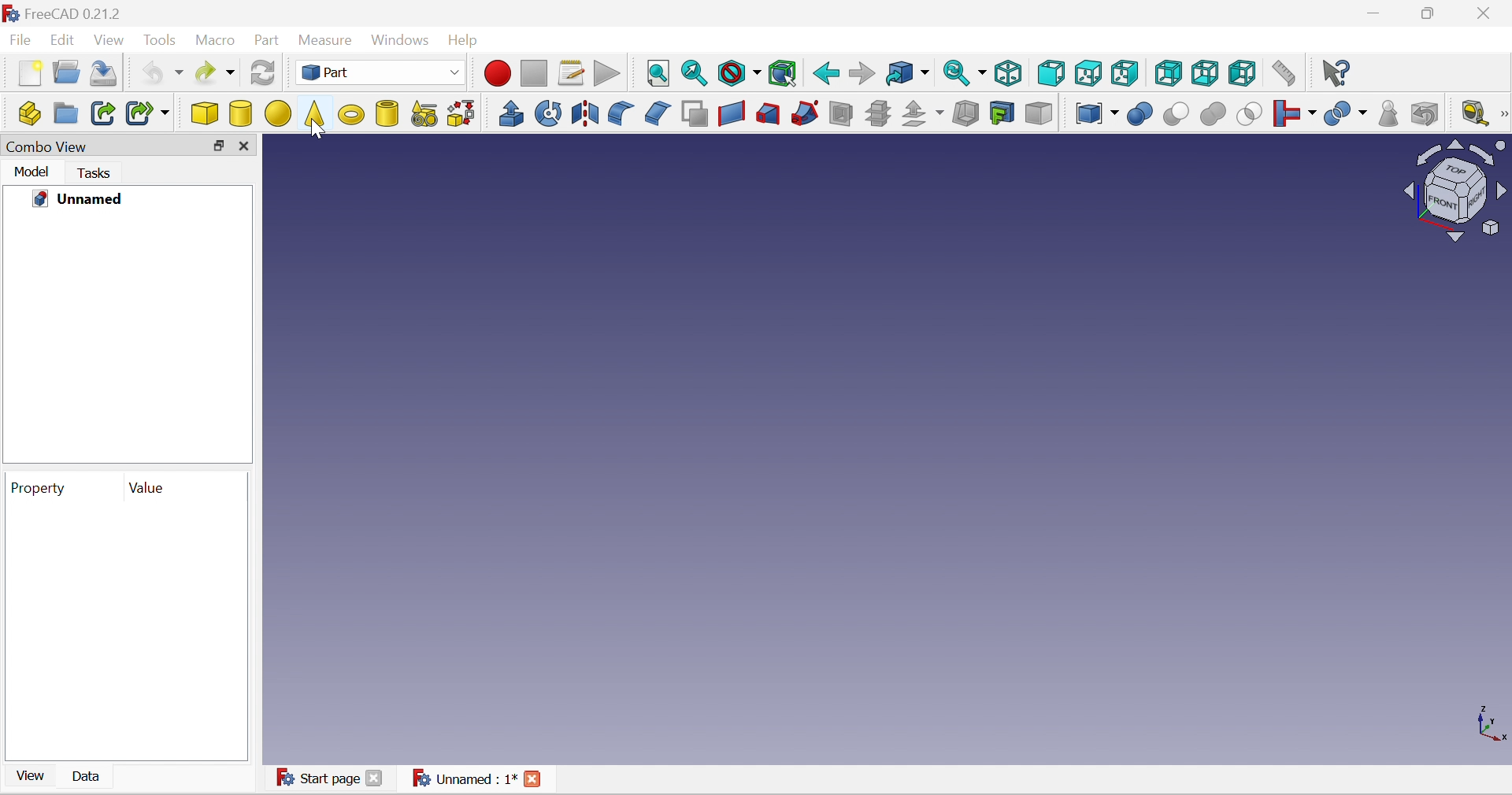  What do you see at coordinates (1346, 116) in the screenshot?
I see `Split objects` at bounding box center [1346, 116].